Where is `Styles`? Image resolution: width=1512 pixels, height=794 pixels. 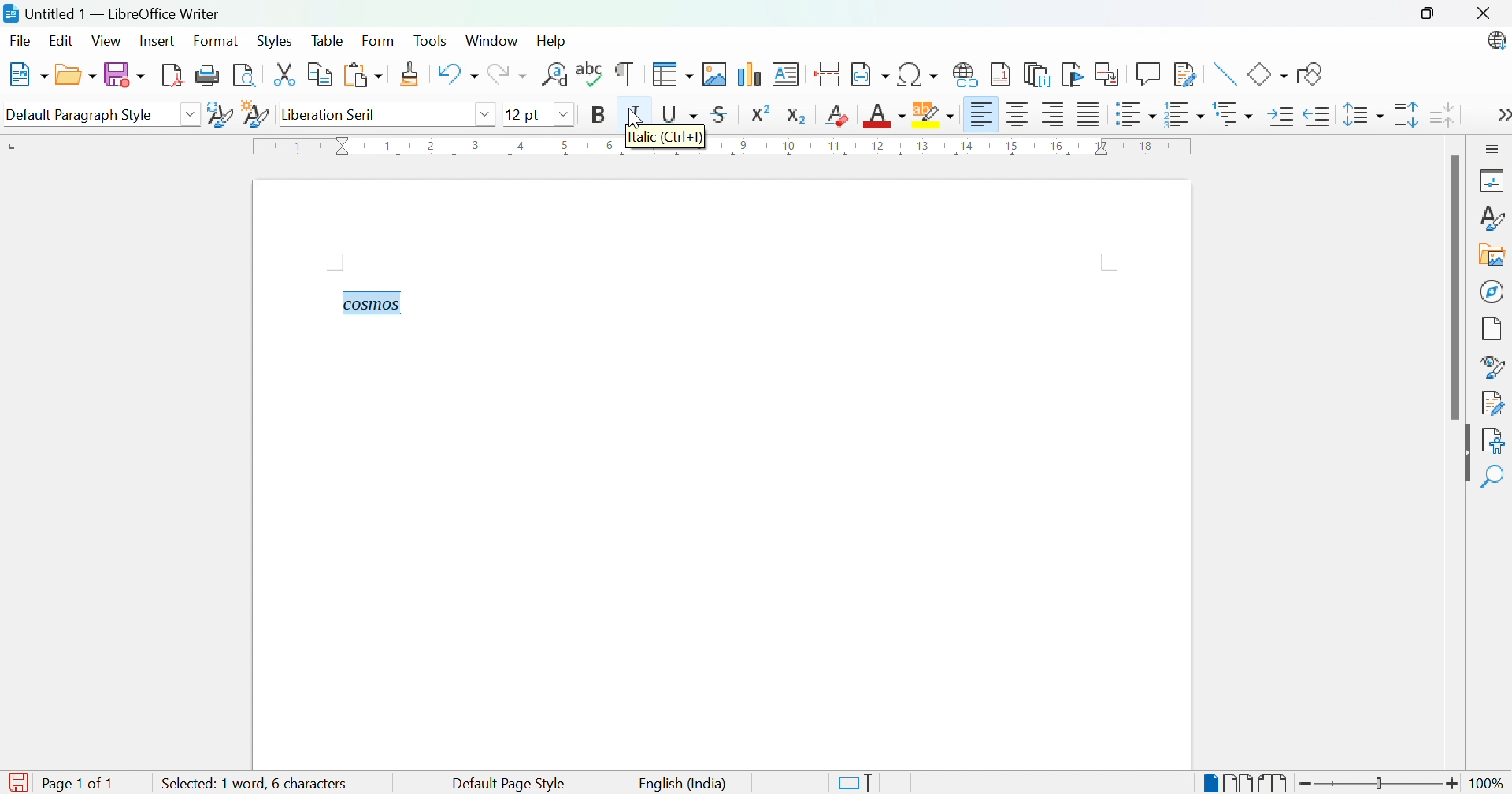
Styles is located at coordinates (273, 43).